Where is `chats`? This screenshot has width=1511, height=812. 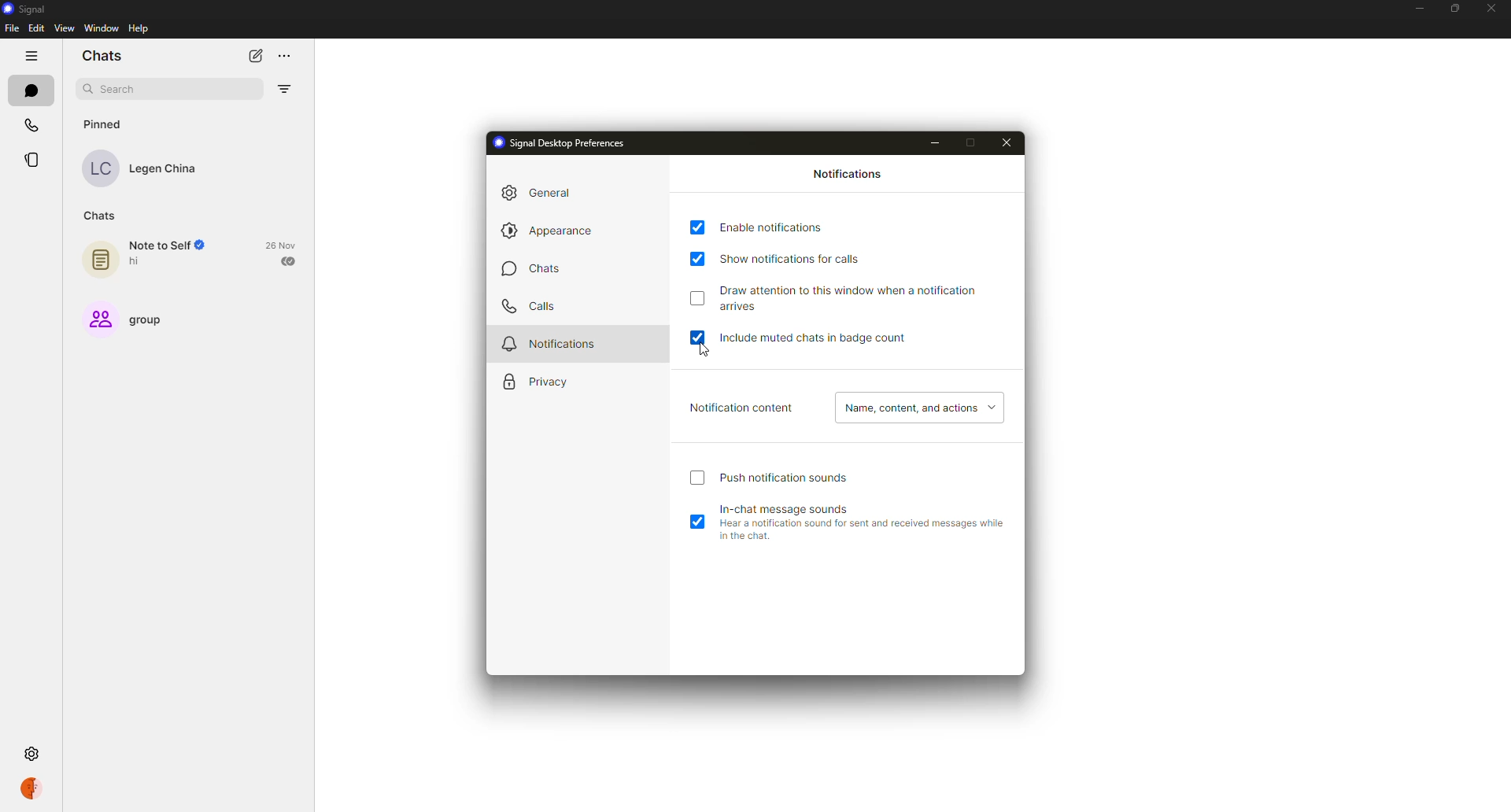 chats is located at coordinates (102, 56).